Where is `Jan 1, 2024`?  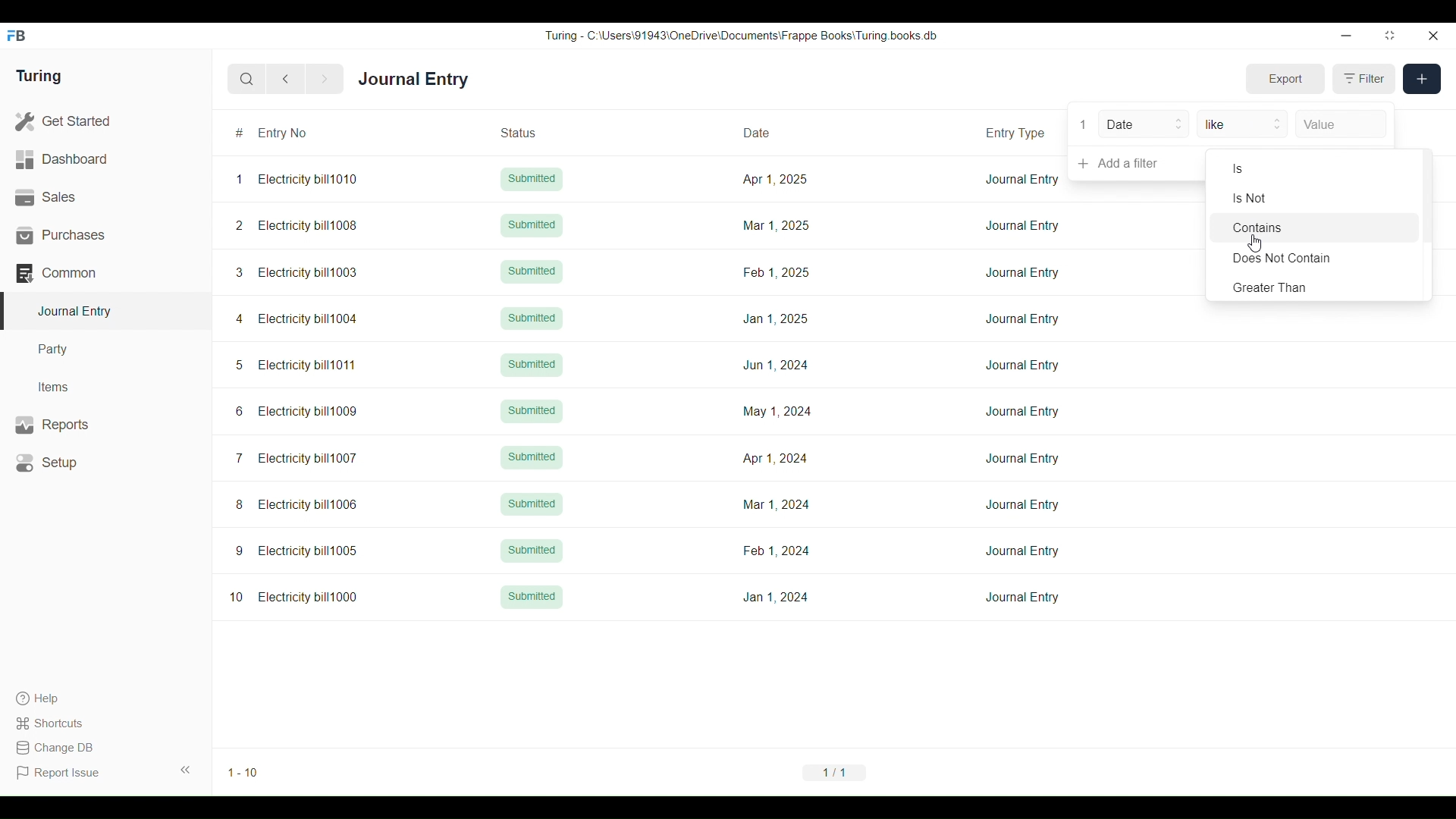 Jan 1, 2024 is located at coordinates (775, 597).